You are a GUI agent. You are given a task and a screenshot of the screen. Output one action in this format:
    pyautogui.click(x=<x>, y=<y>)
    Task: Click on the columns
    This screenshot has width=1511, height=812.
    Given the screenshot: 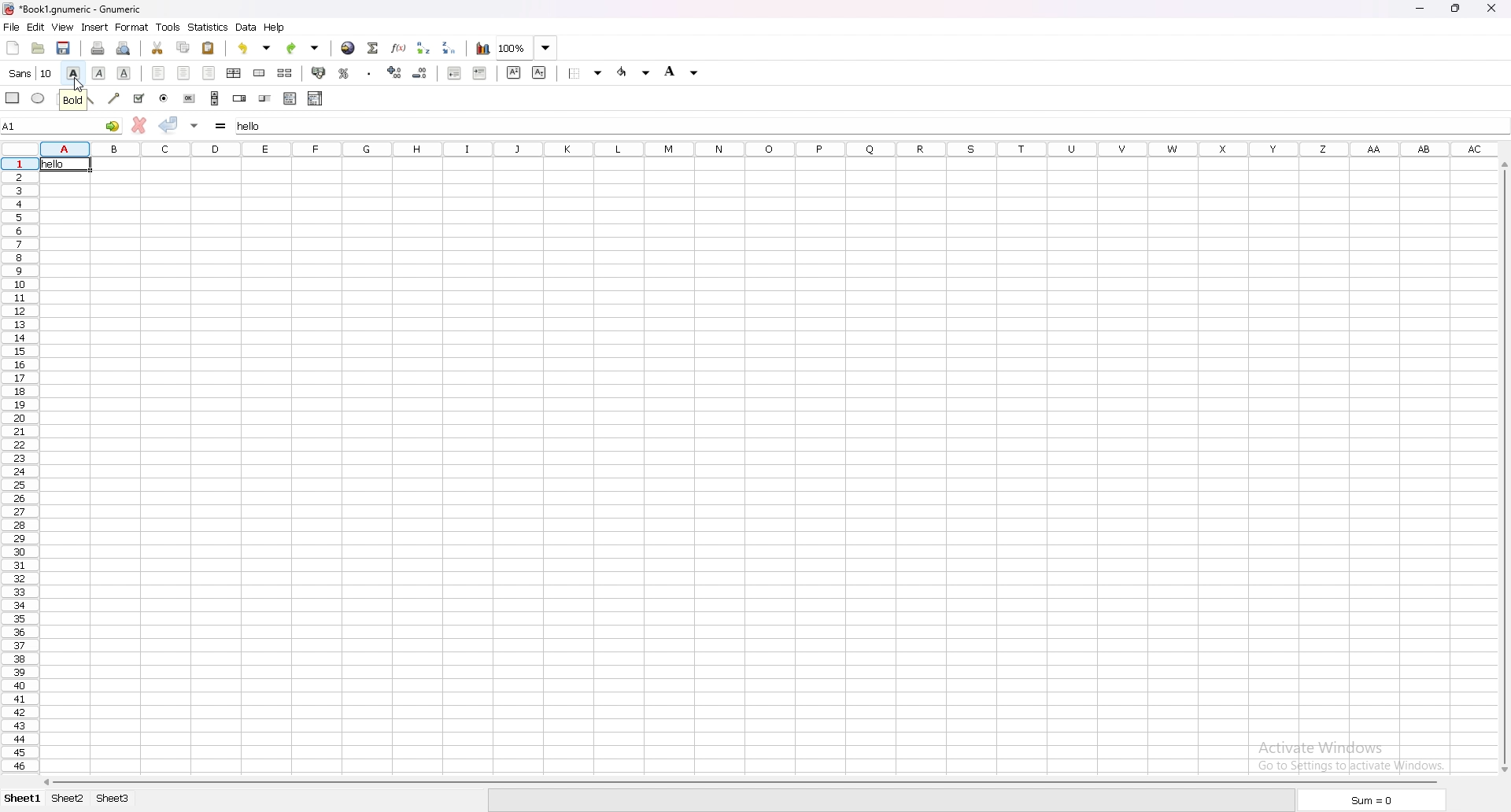 What is the action you would take?
    pyautogui.click(x=771, y=147)
    